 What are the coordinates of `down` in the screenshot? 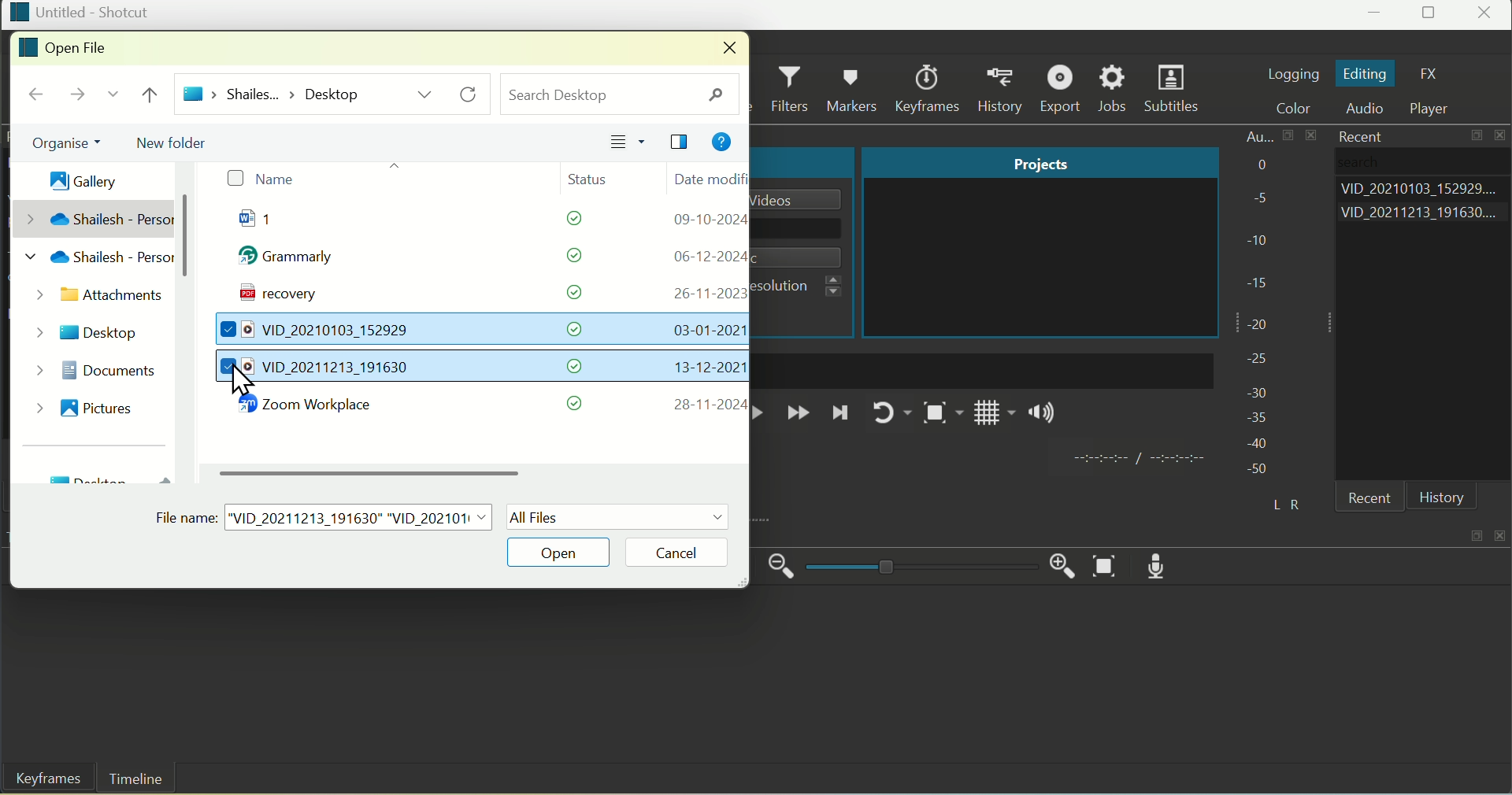 It's located at (111, 98).